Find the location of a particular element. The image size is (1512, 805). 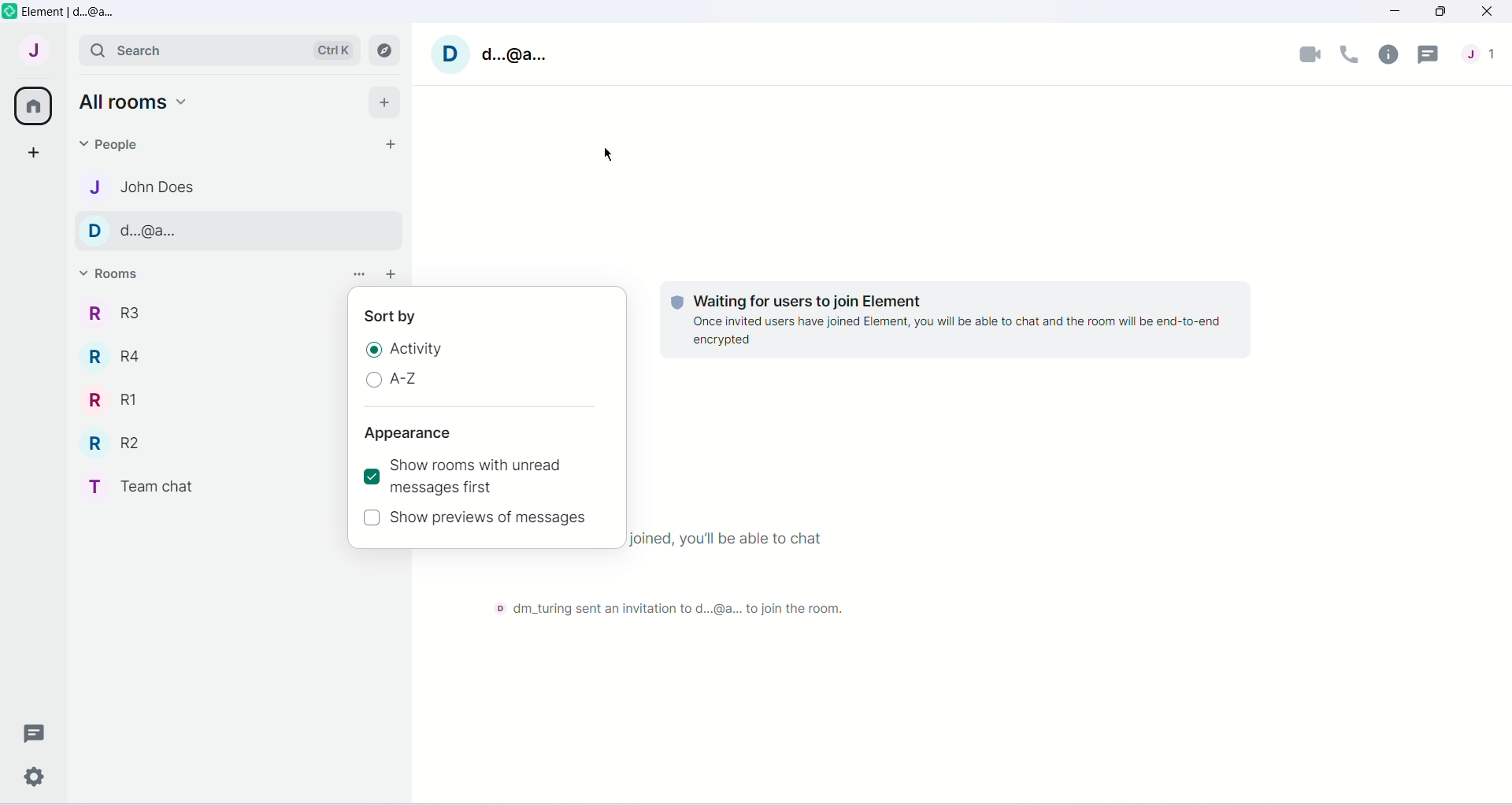

all rooms is located at coordinates (135, 101).